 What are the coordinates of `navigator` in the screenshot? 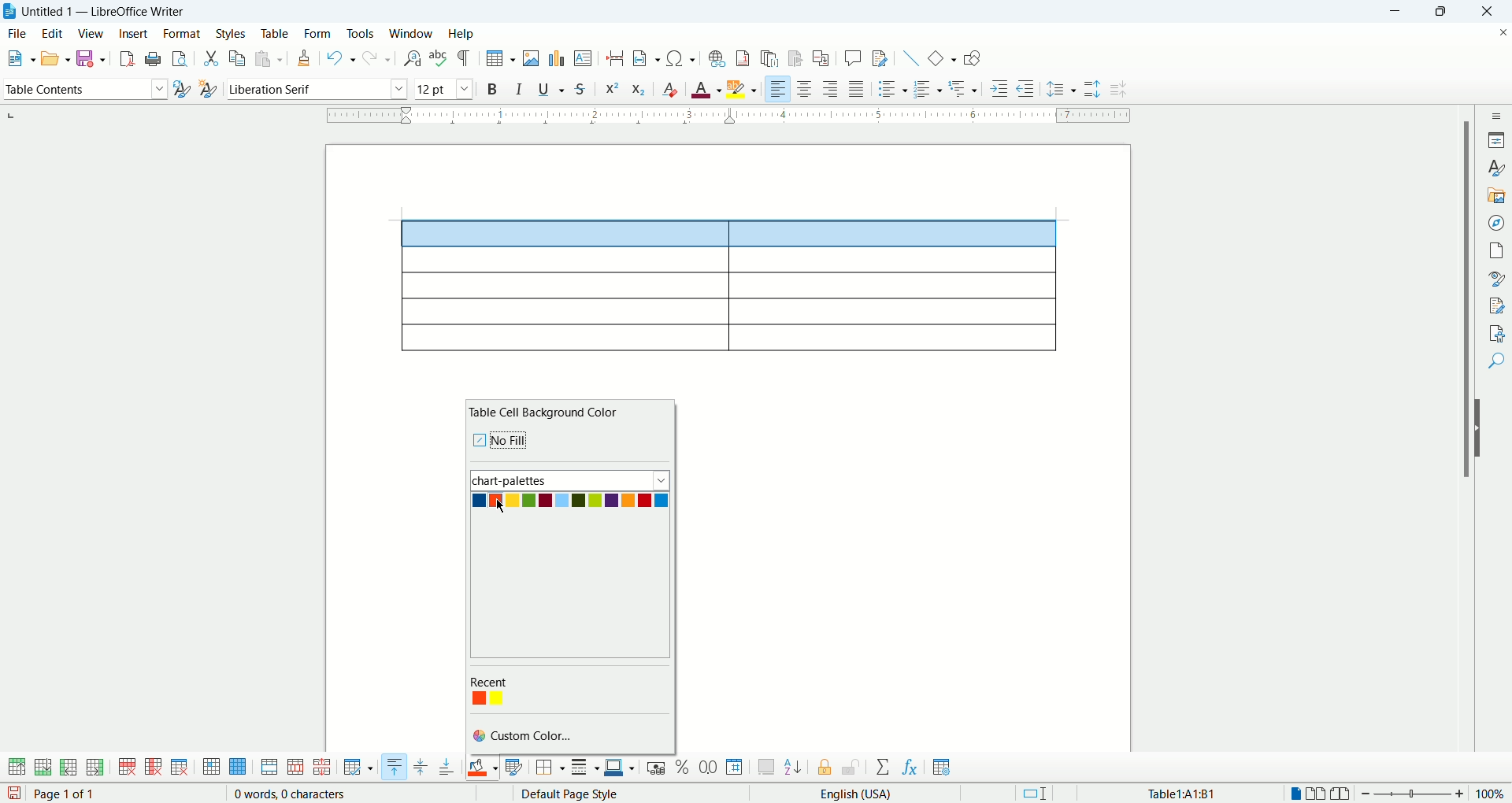 It's located at (1496, 223).